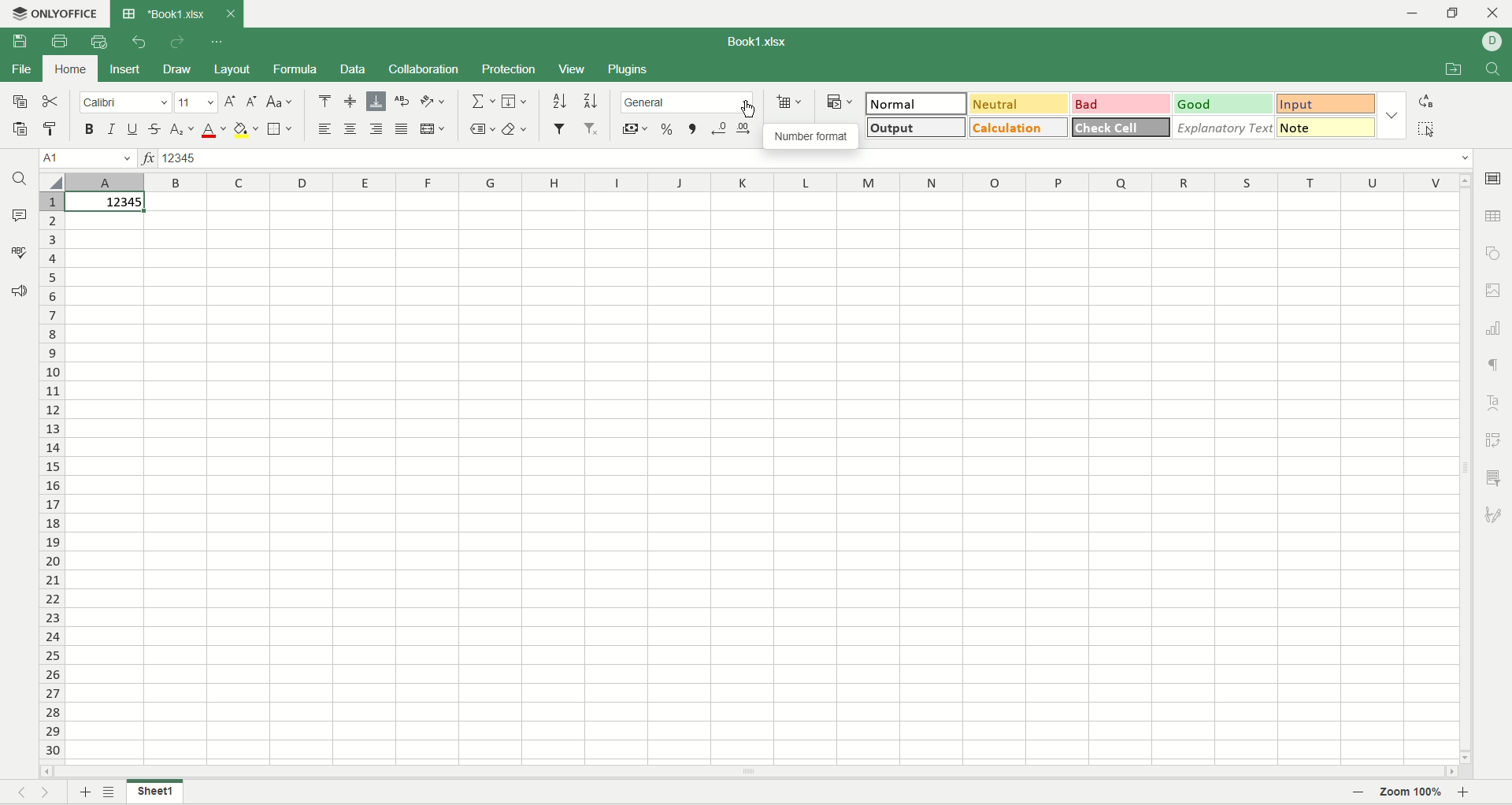  I want to click on insert cell, so click(789, 102).